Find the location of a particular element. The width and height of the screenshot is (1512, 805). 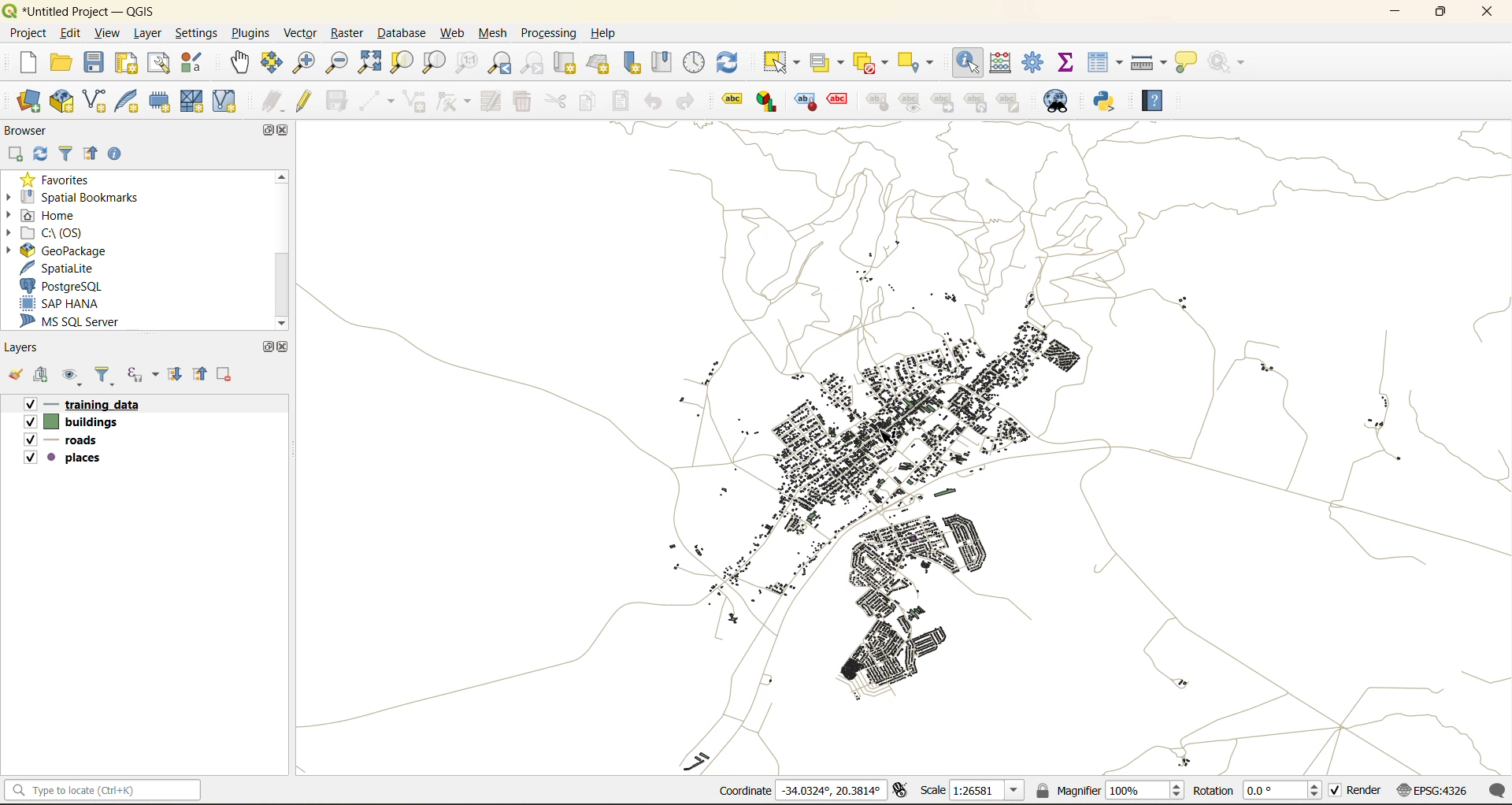

new virtual layer is located at coordinates (224, 102).